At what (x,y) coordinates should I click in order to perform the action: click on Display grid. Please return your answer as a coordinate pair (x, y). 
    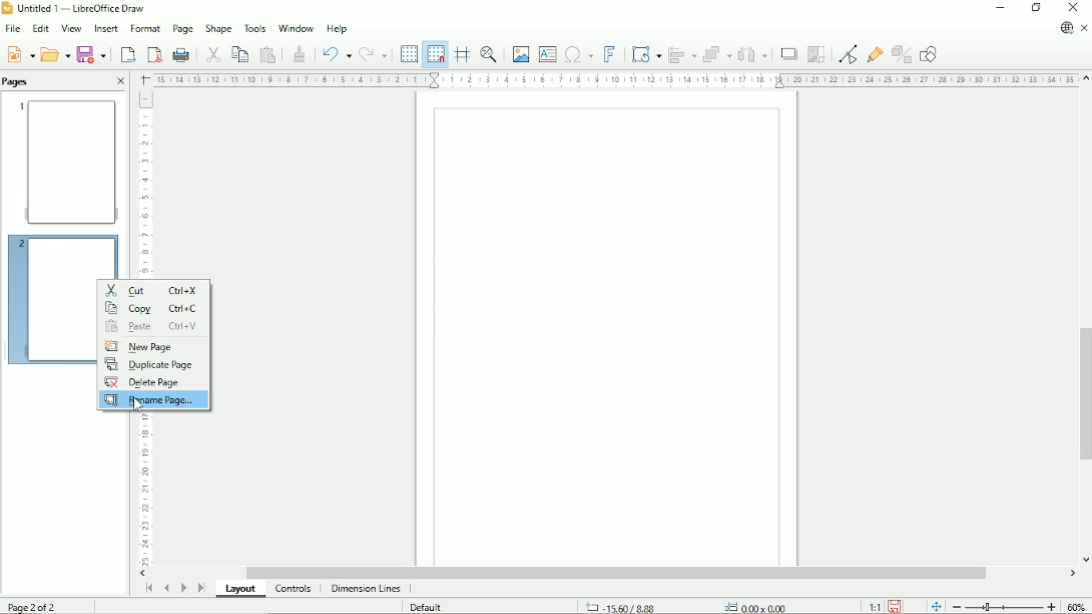
    Looking at the image, I should click on (408, 53).